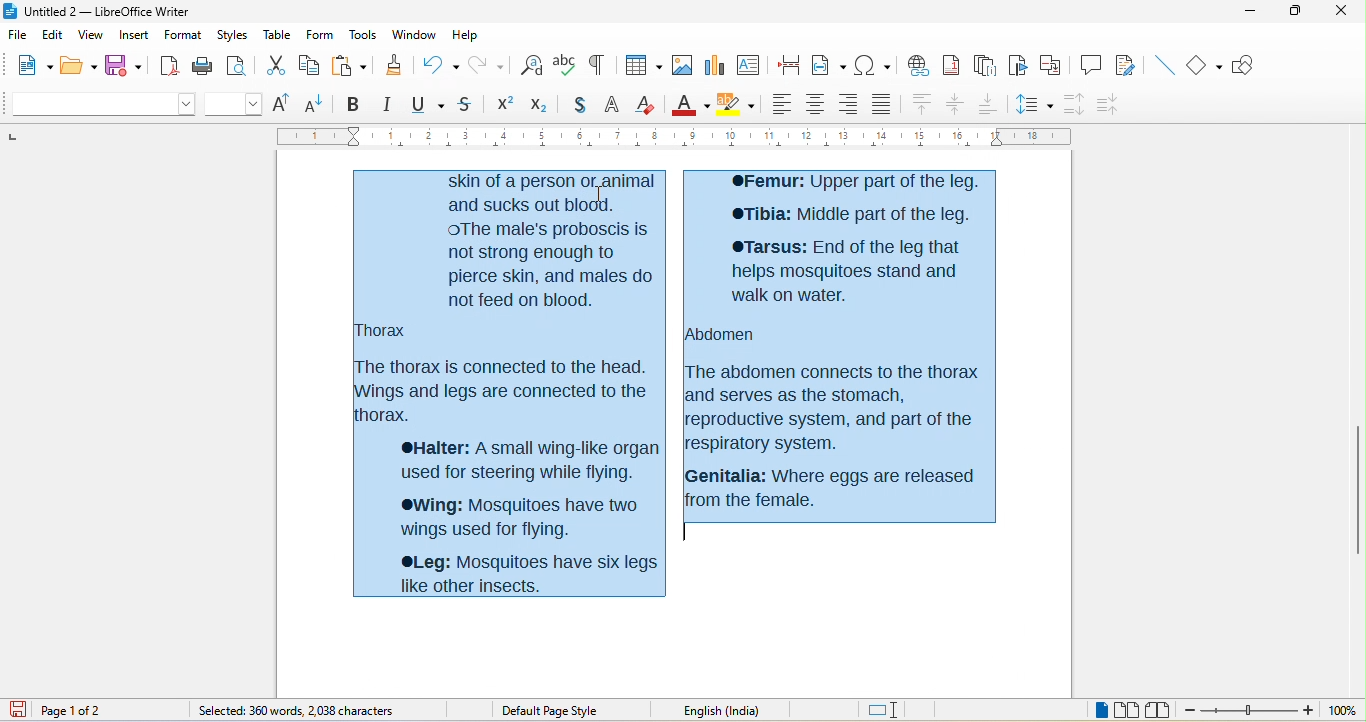 The height and width of the screenshot is (722, 1366). I want to click on help, so click(463, 31).